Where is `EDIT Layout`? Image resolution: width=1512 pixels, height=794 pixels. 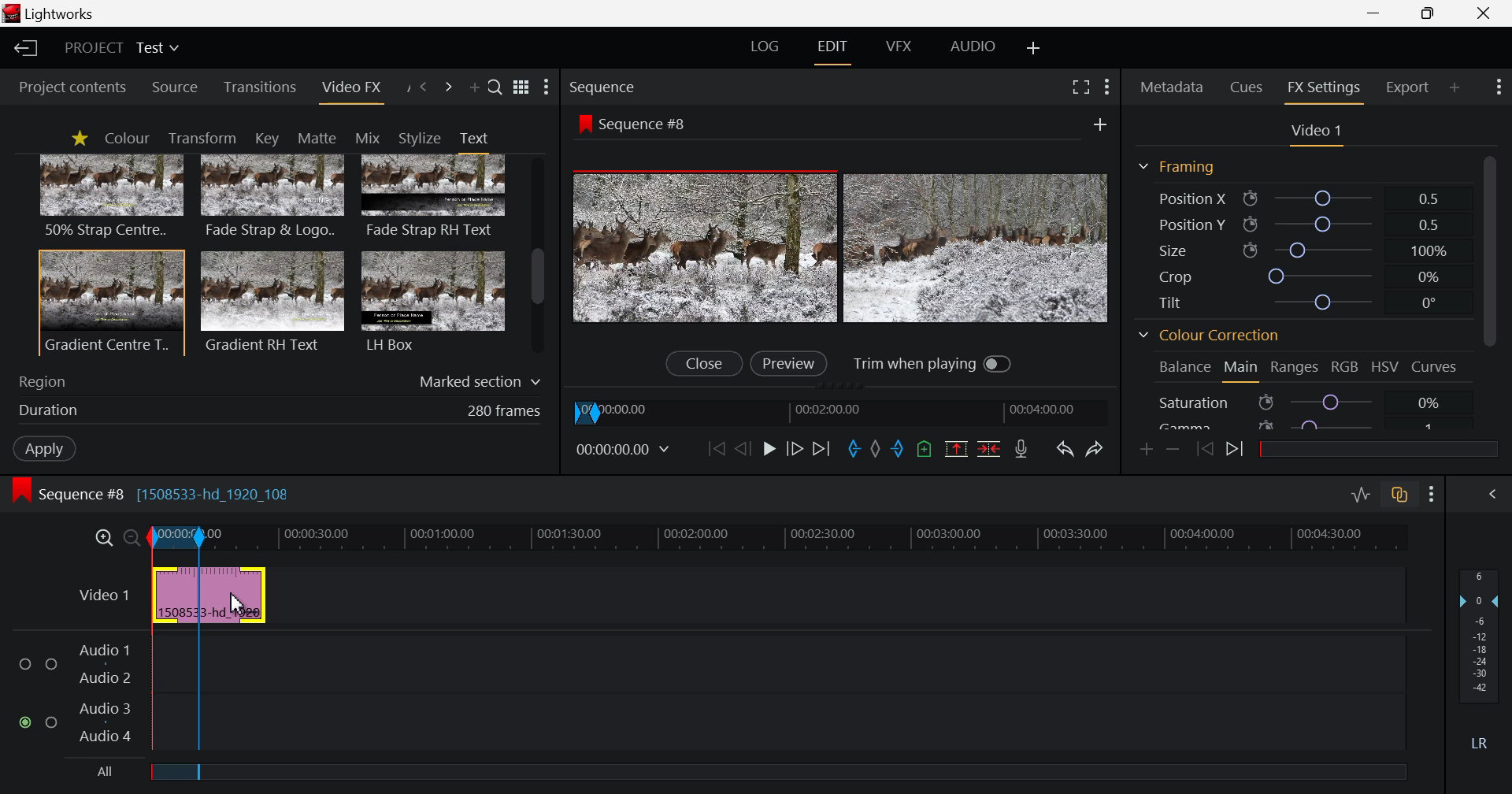 EDIT Layout is located at coordinates (836, 48).